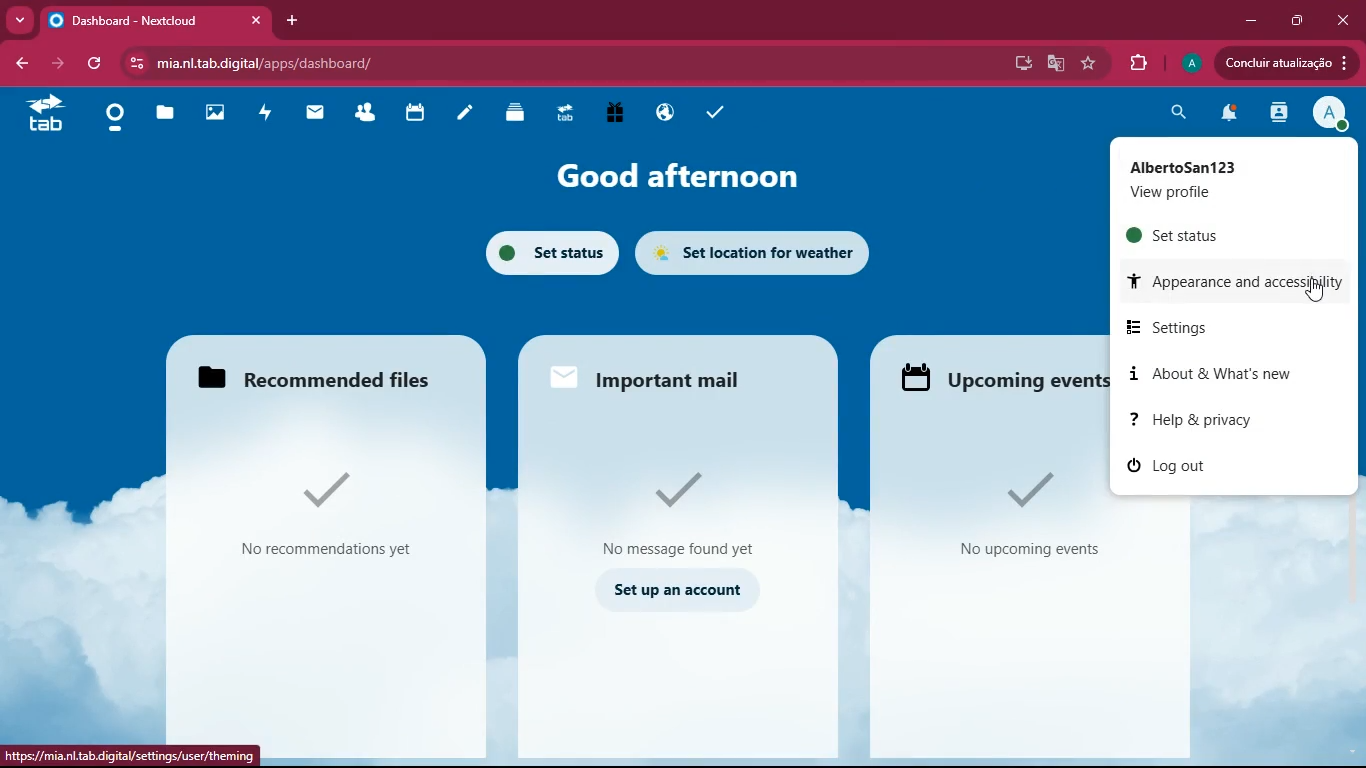  What do you see at coordinates (470, 115) in the screenshot?
I see `notes` at bounding box center [470, 115].